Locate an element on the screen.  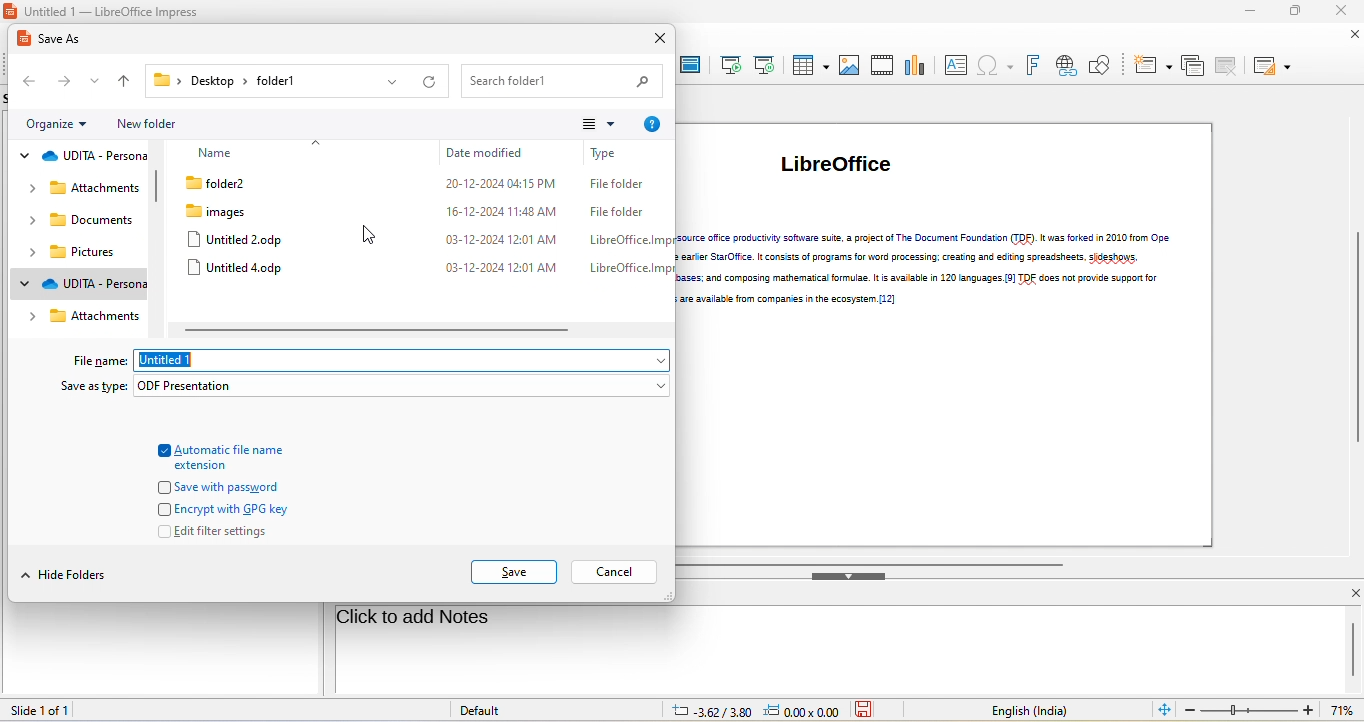
attachments is located at coordinates (79, 188).